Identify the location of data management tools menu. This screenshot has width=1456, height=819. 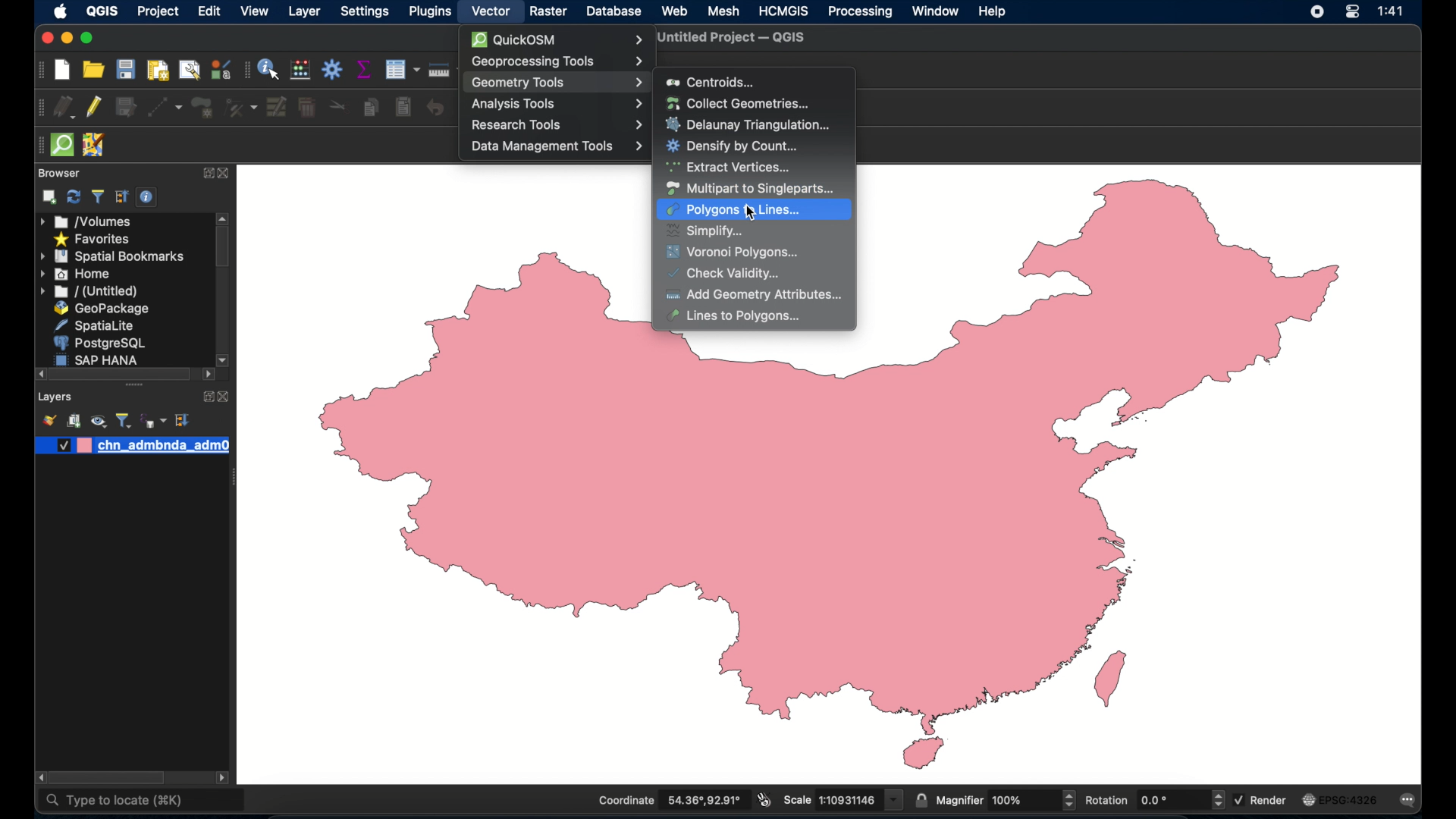
(556, 148).